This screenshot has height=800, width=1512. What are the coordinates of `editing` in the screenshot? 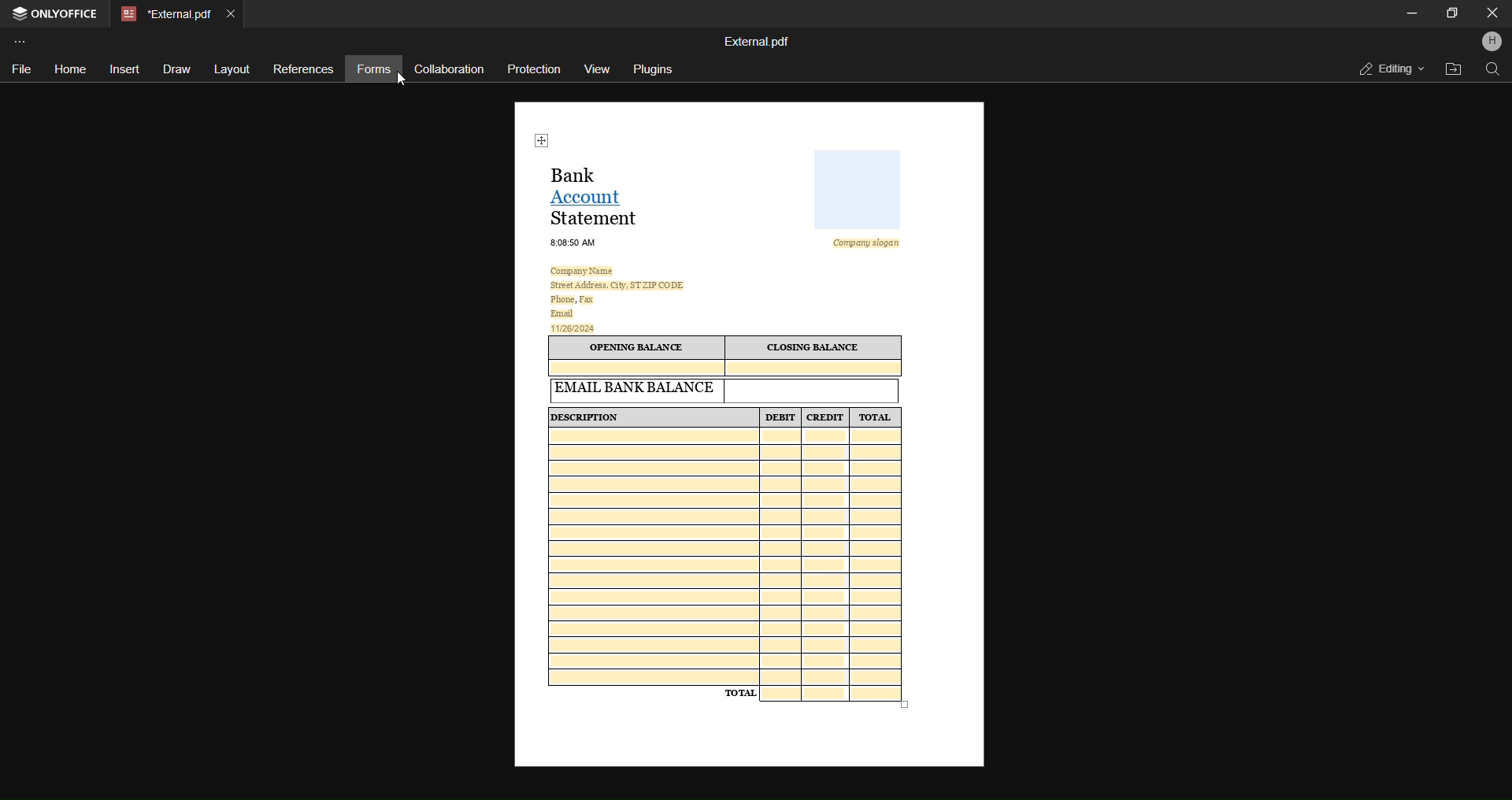 It's located at (1385, 69).